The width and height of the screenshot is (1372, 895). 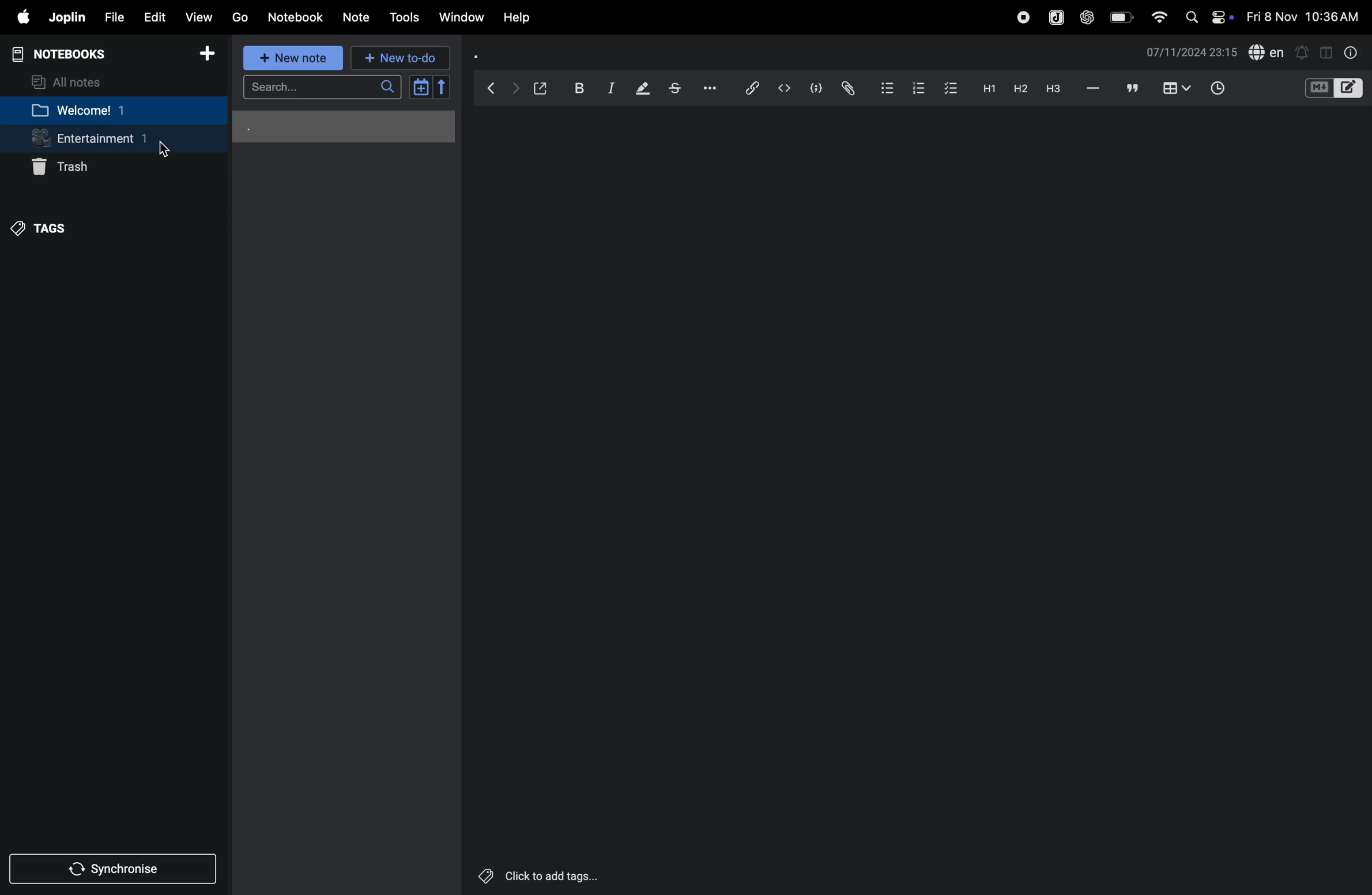 I want to click on window, so click(x=464, y=16).